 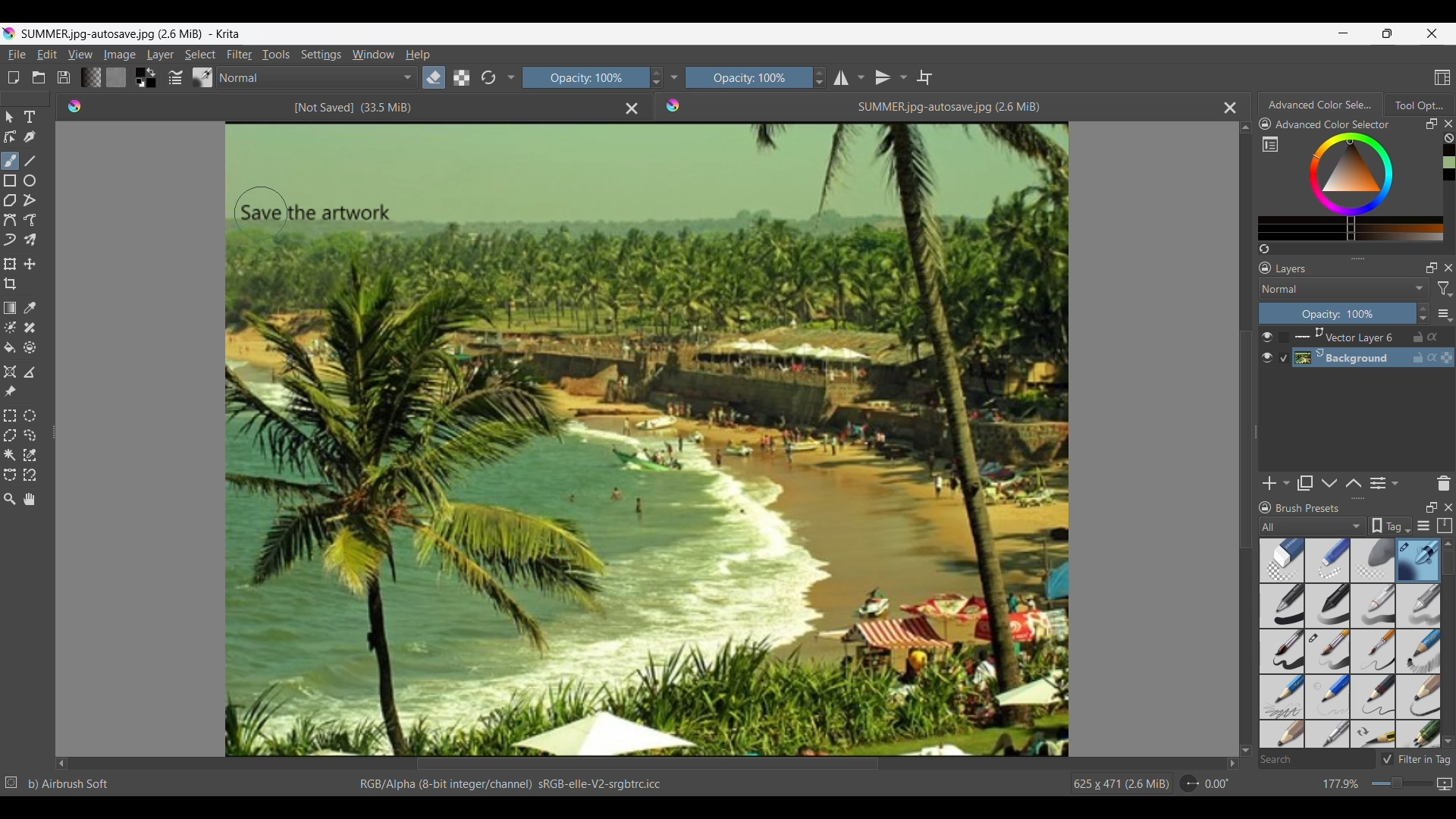 What do you see at coordinates (924, 77) in the screenshot?
I see `Wrap around mode` at bounding box center [924, 77].